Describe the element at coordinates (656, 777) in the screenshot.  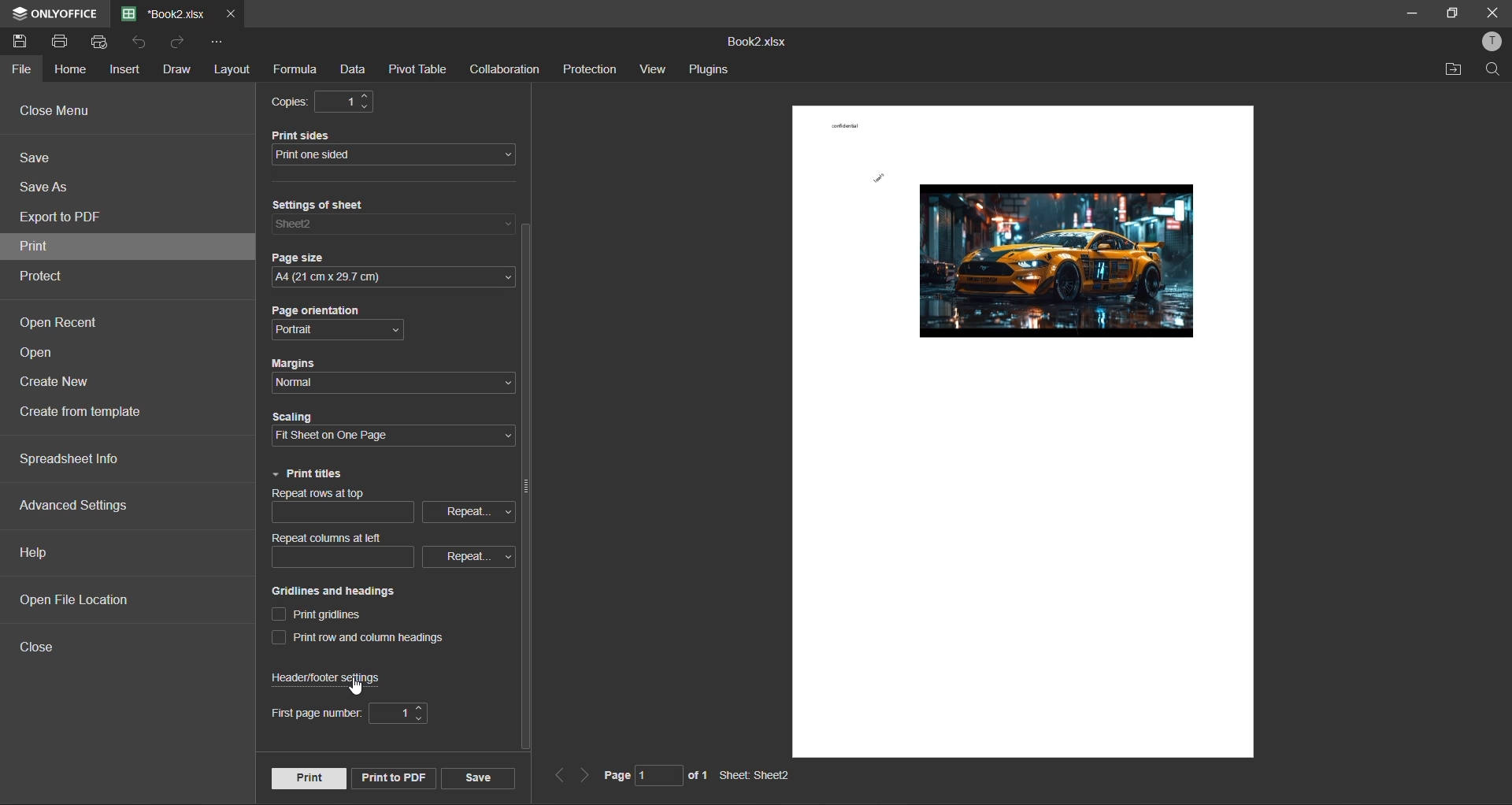
I see `page 1 of 1` at that location.